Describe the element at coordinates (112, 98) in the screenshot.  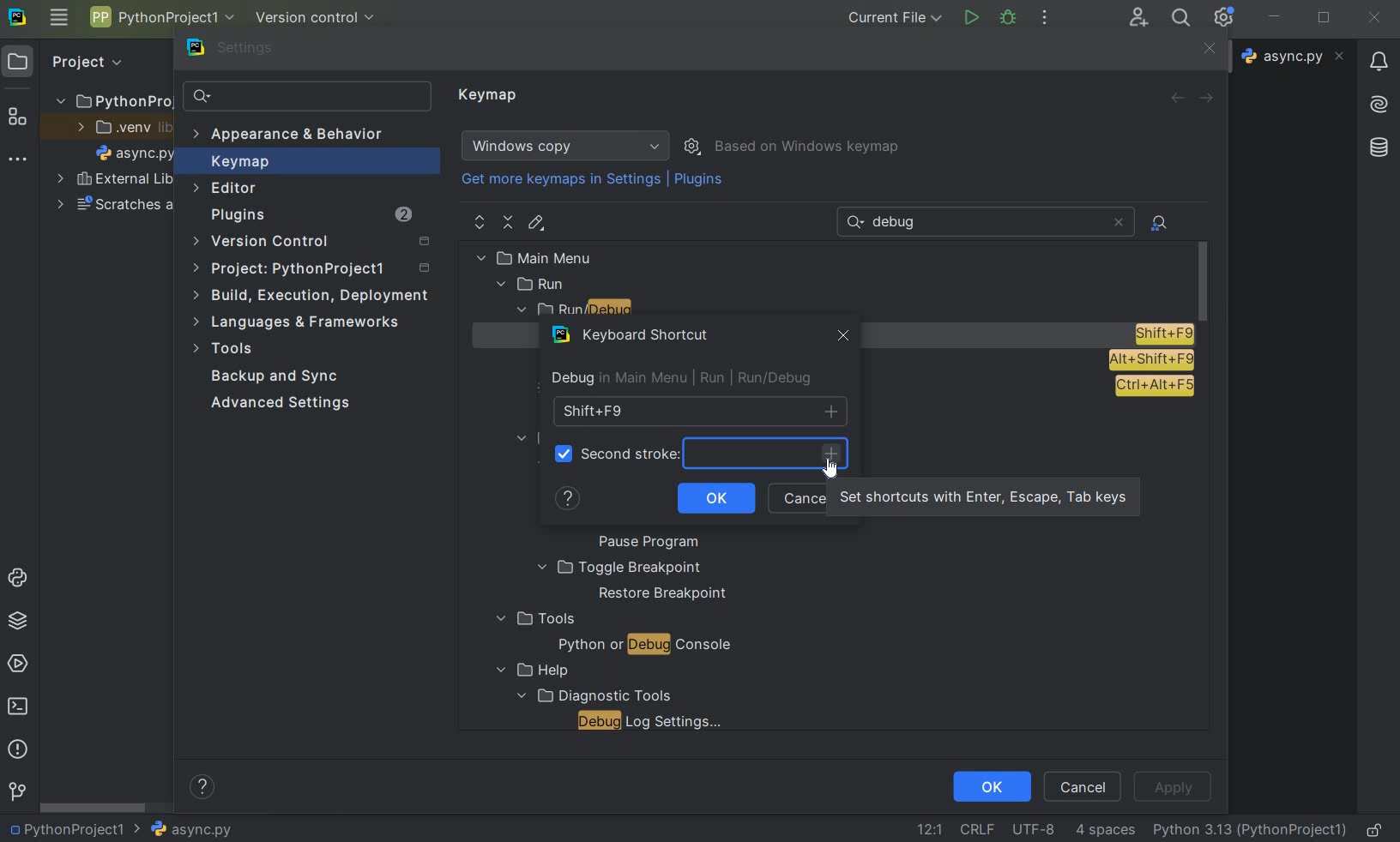
I see `project name` at that location.